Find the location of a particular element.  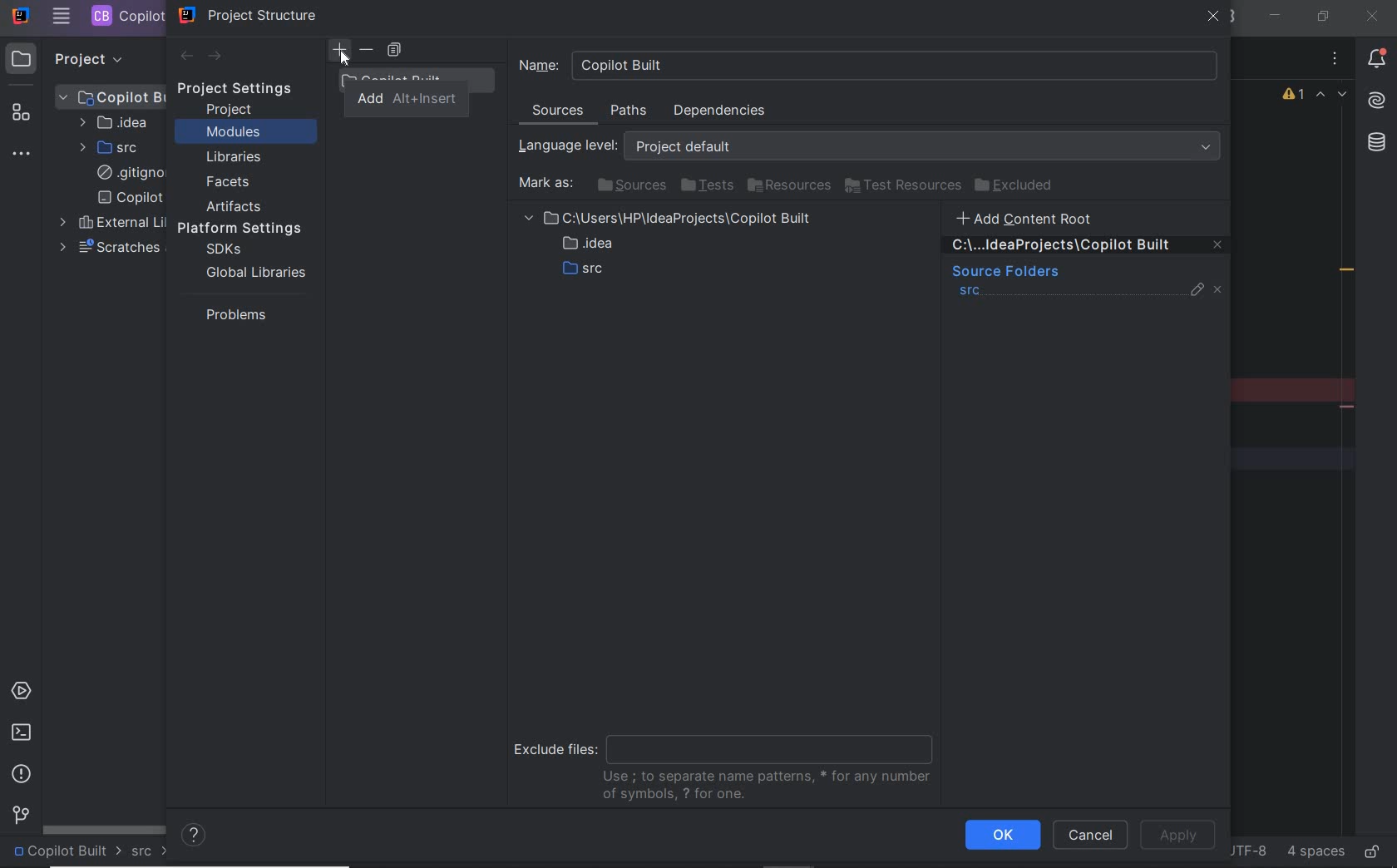

dependencies is located at coordinates (718, 111).